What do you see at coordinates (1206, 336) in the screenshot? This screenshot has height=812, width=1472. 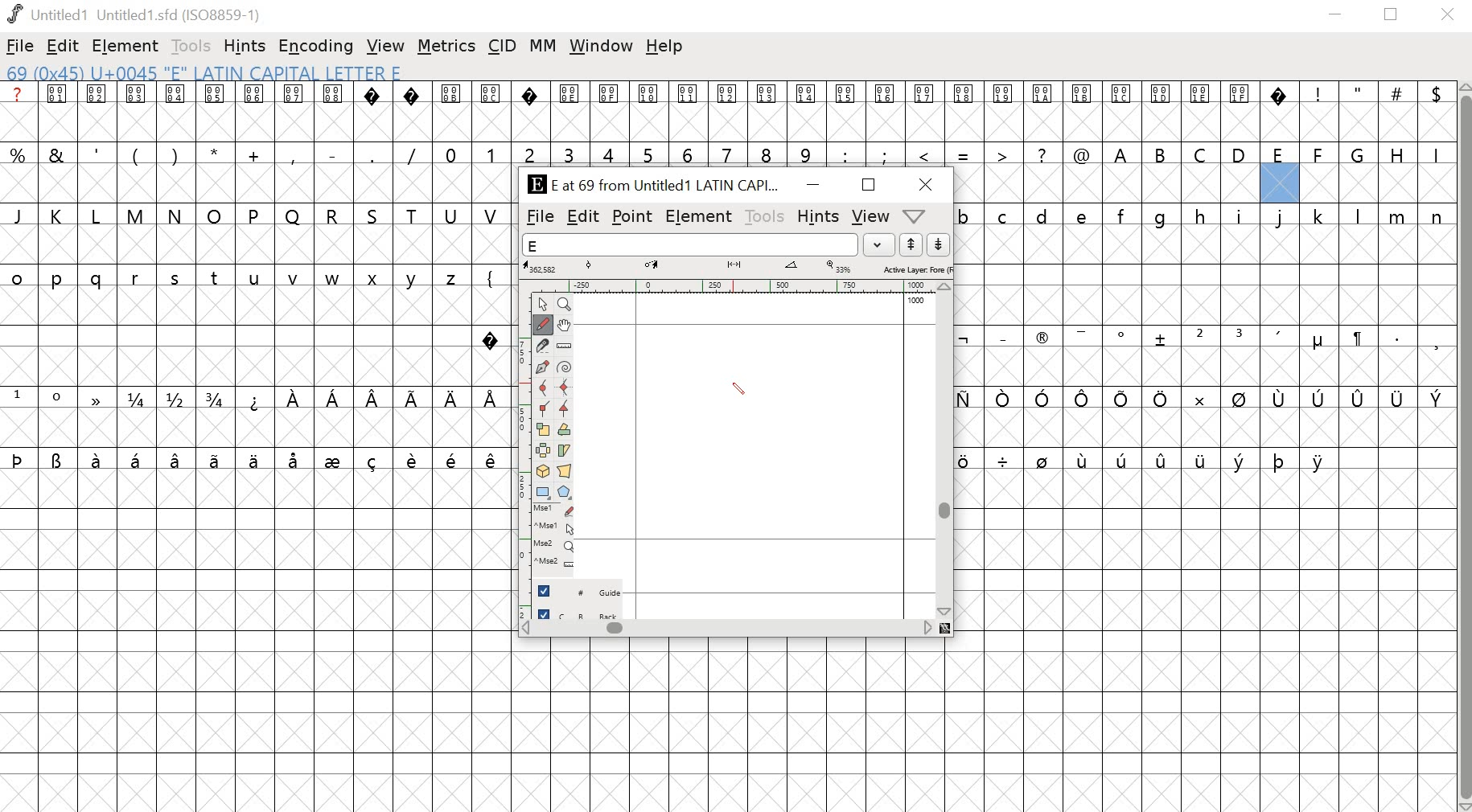 I see `special characters and symbols` at bounding box center [1206, 336].